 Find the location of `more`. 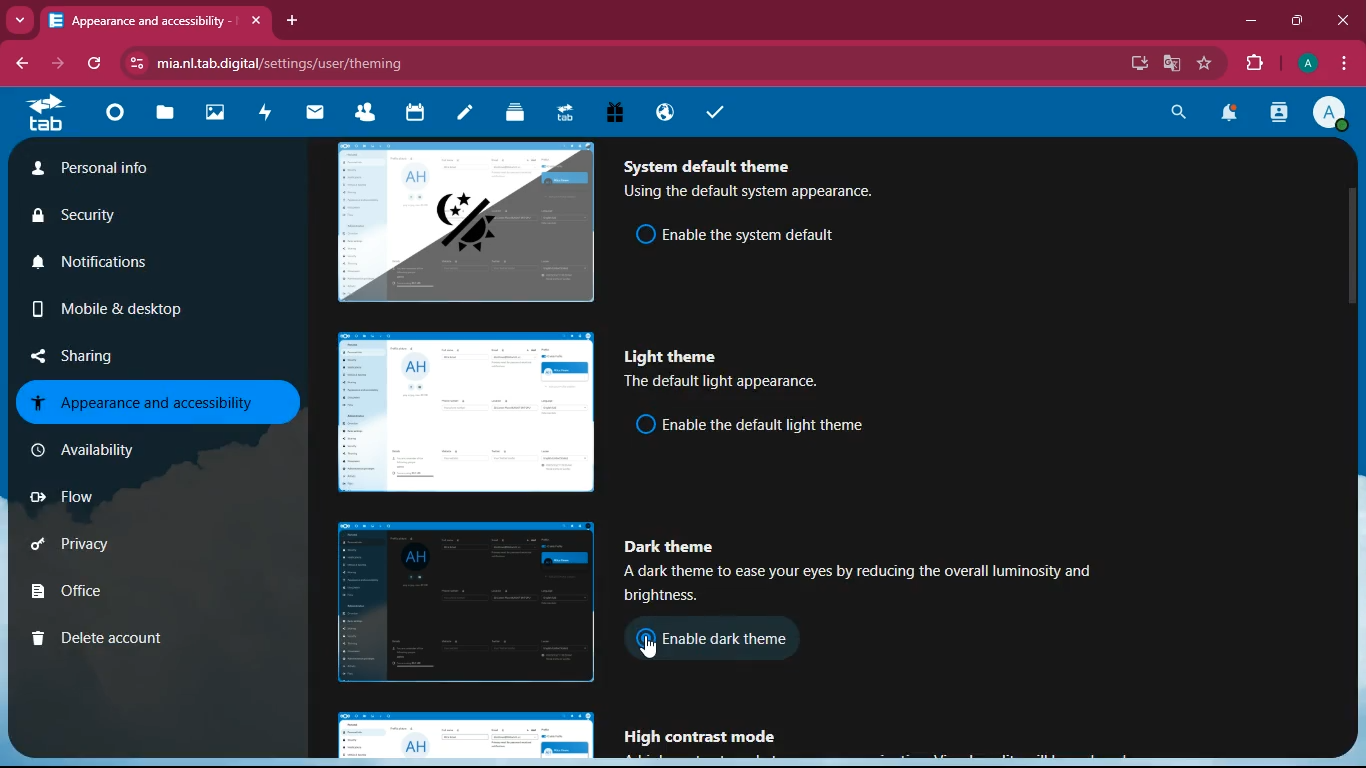

more is located at coordinates (22, 20).